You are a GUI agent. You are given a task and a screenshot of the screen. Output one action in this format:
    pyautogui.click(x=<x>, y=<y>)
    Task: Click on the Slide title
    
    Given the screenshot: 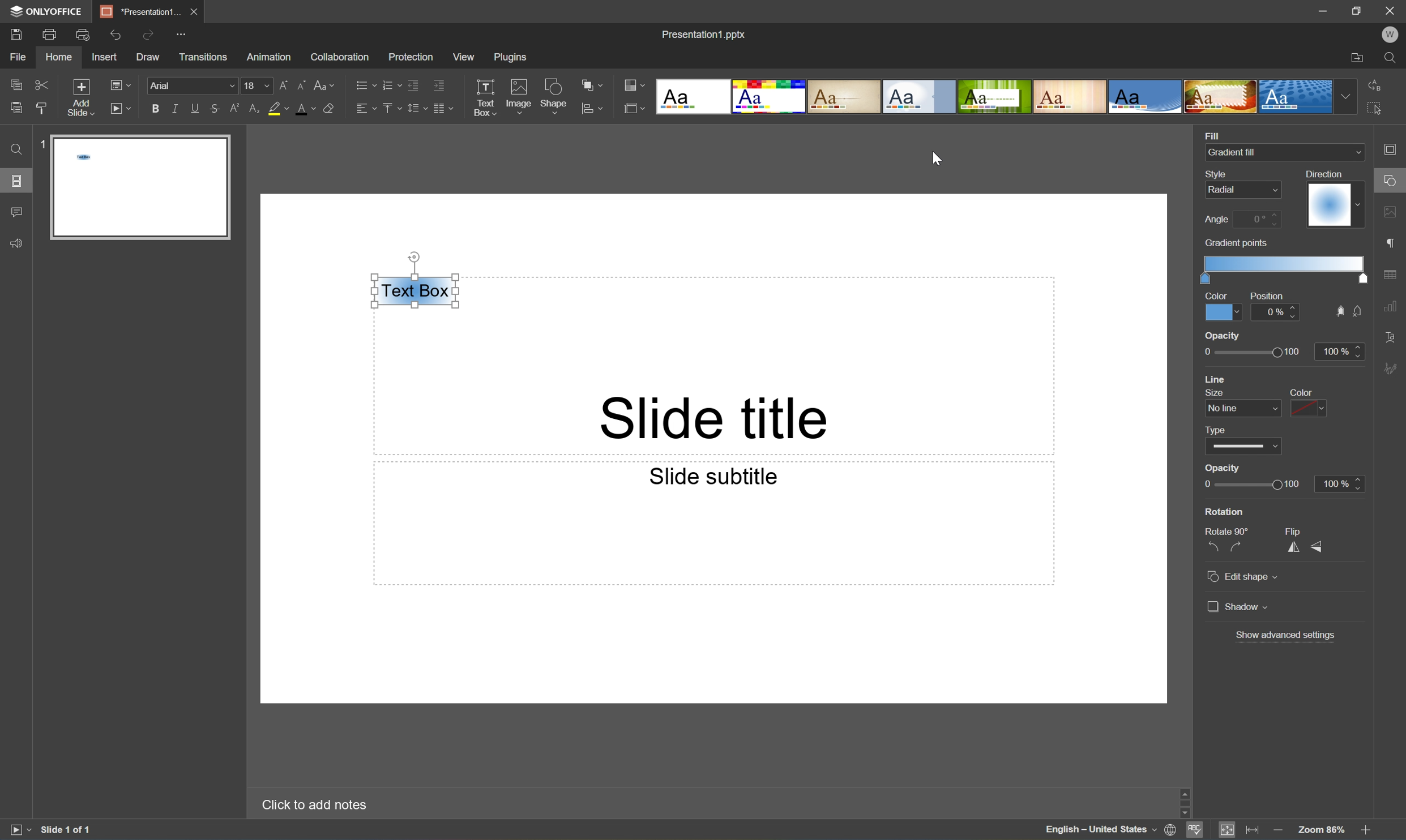 What is the action you would take?
    pyautogui.click(x=718, y=419)
    